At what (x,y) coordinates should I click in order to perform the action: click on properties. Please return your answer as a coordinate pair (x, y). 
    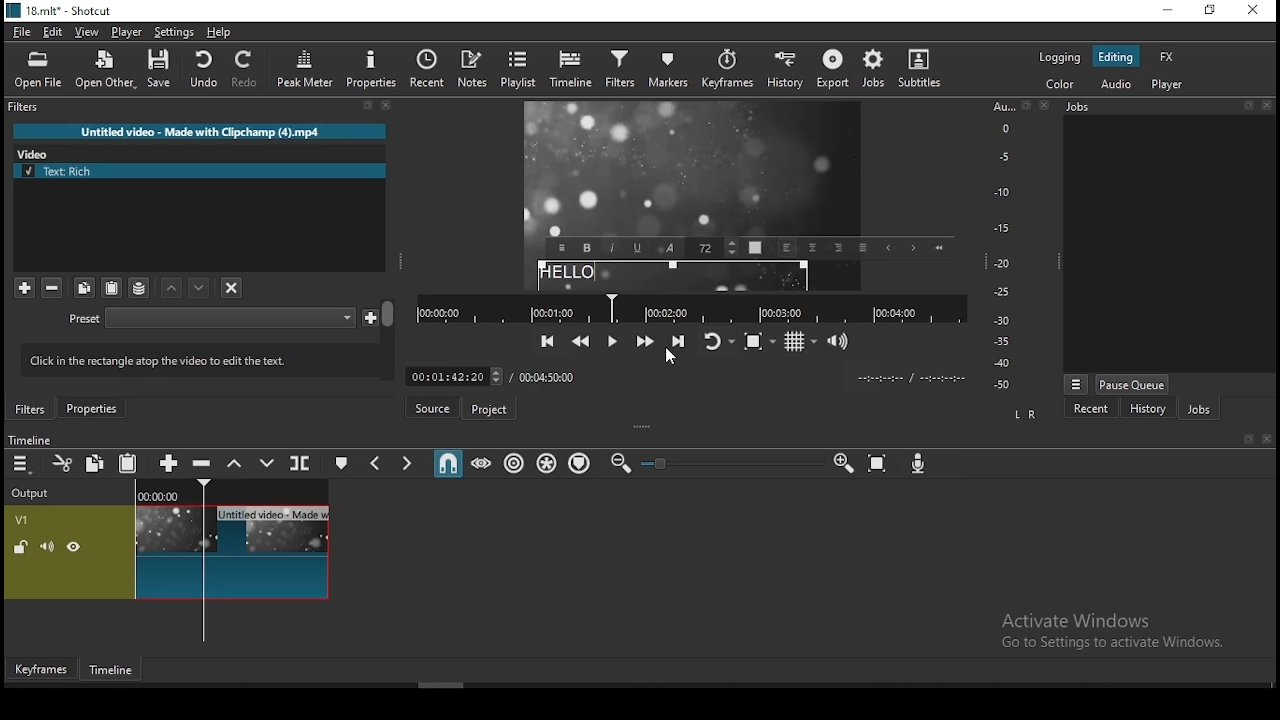
    Looking at the image, I should click on (369, 69).